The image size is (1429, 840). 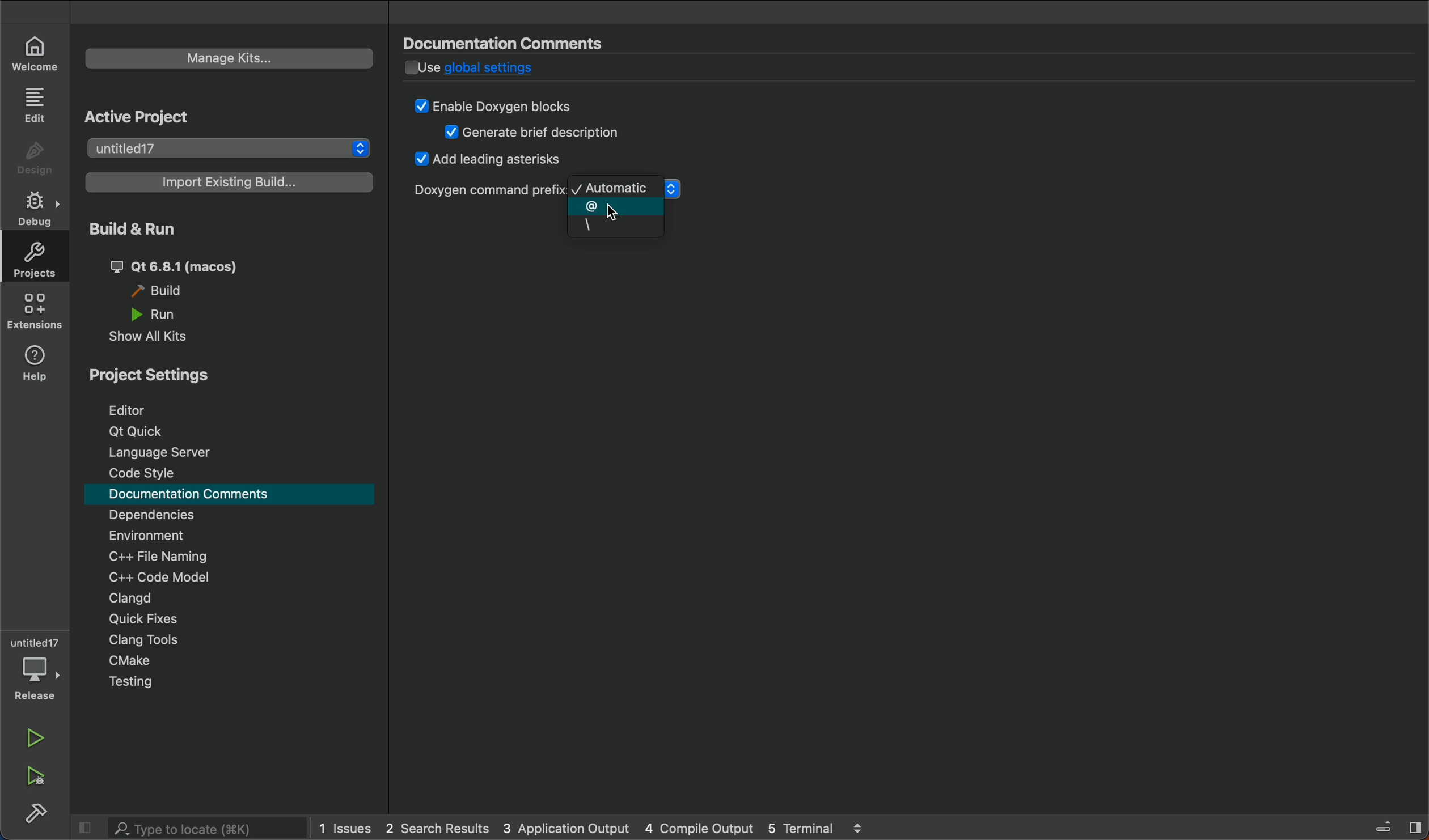 I want to click on build, so click(x=39, y=817).